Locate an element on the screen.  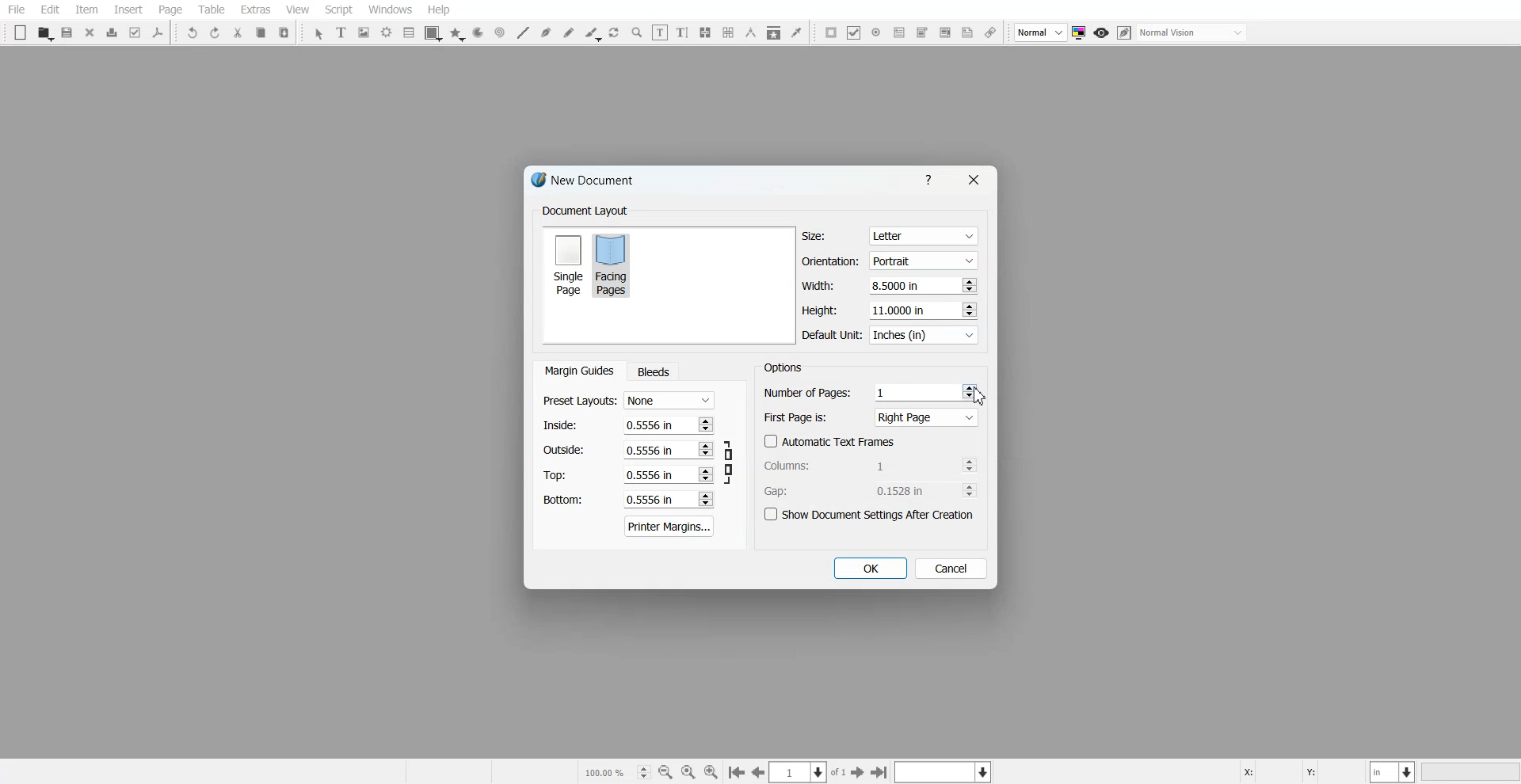
Show Document settings after Creation is located at coordinates (871, 515).